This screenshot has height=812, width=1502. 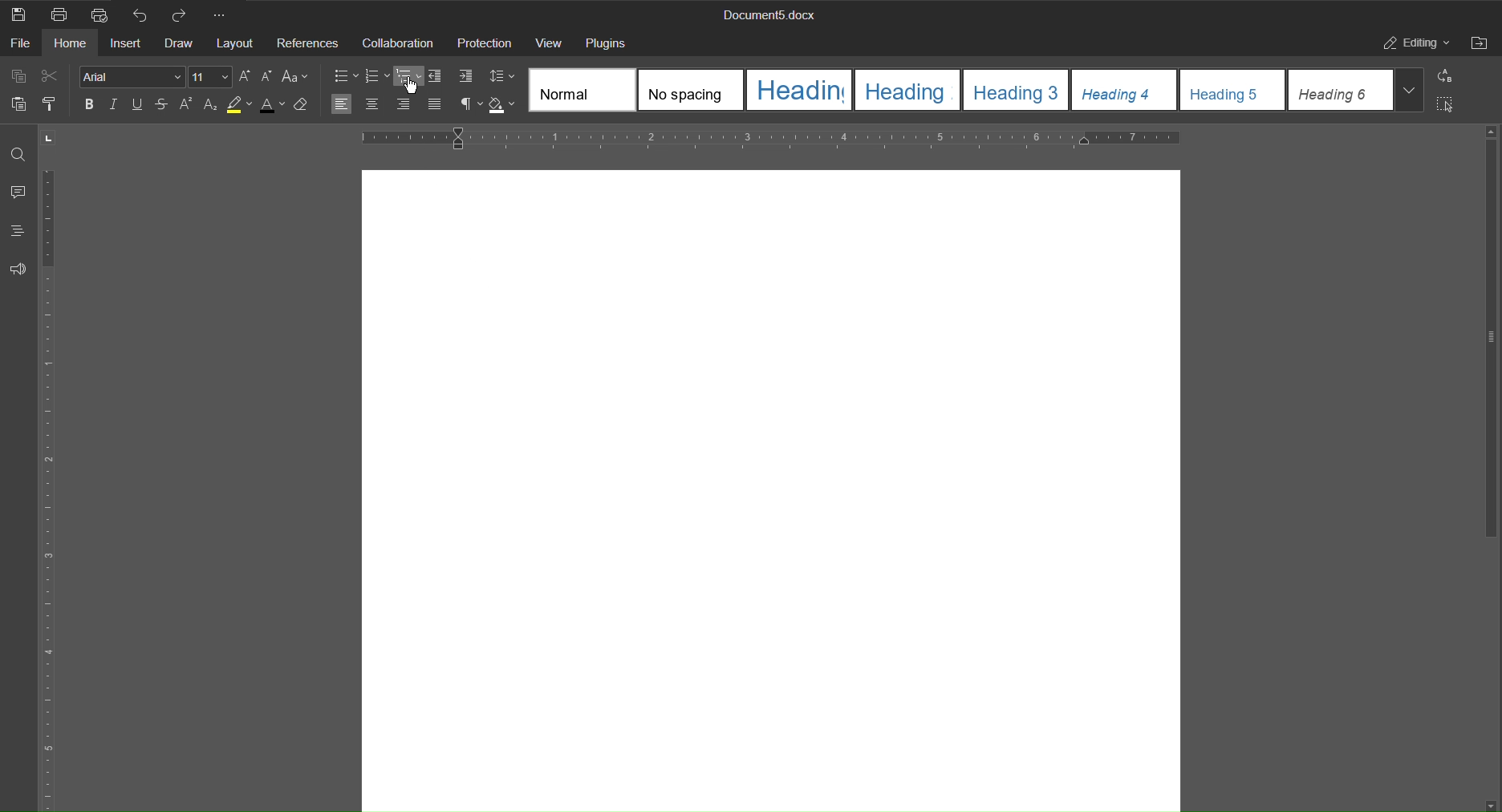 I want to click on Headings, so click(x=17, y=229).